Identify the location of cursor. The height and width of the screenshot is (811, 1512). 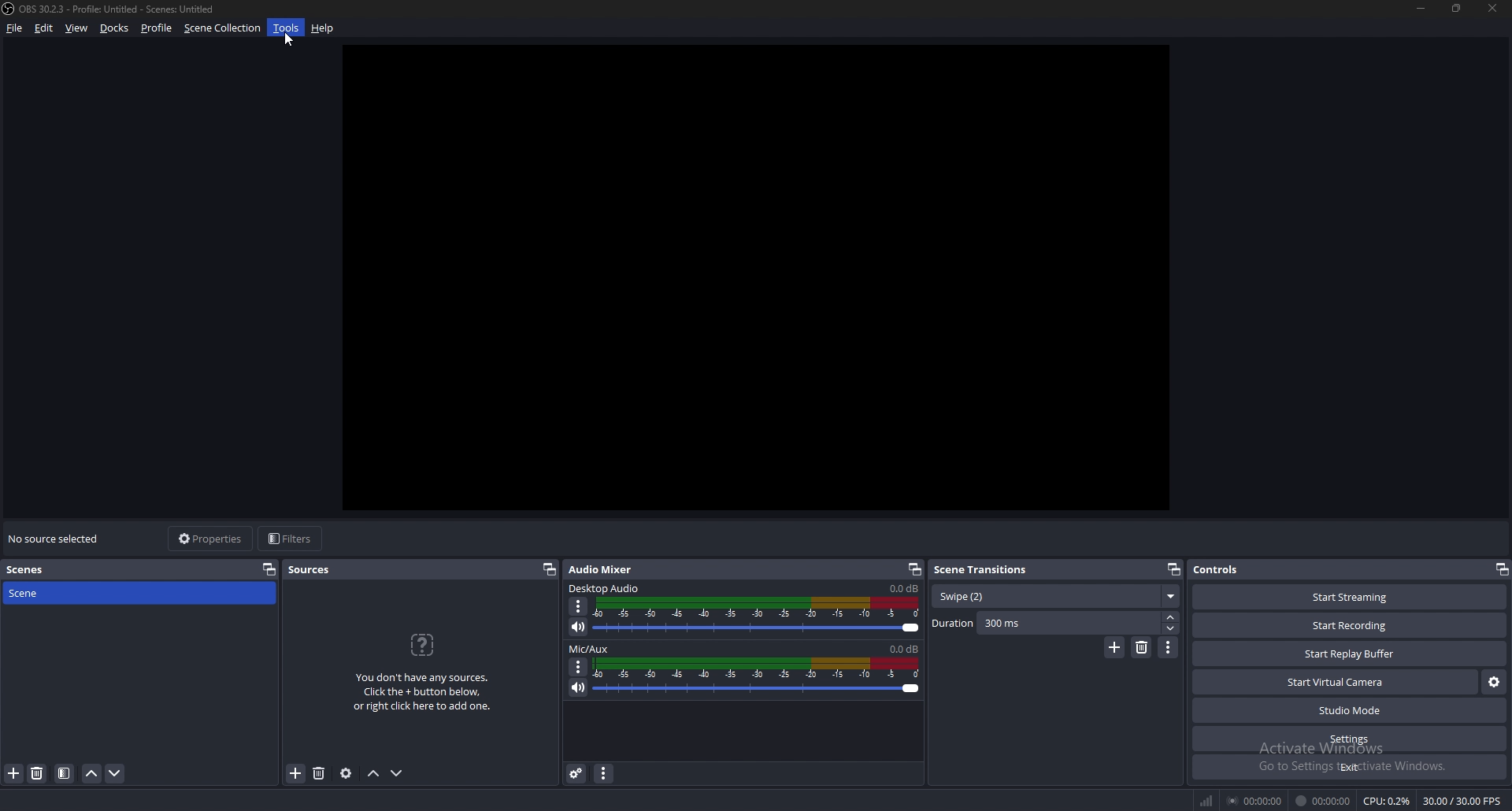
(285, 39).